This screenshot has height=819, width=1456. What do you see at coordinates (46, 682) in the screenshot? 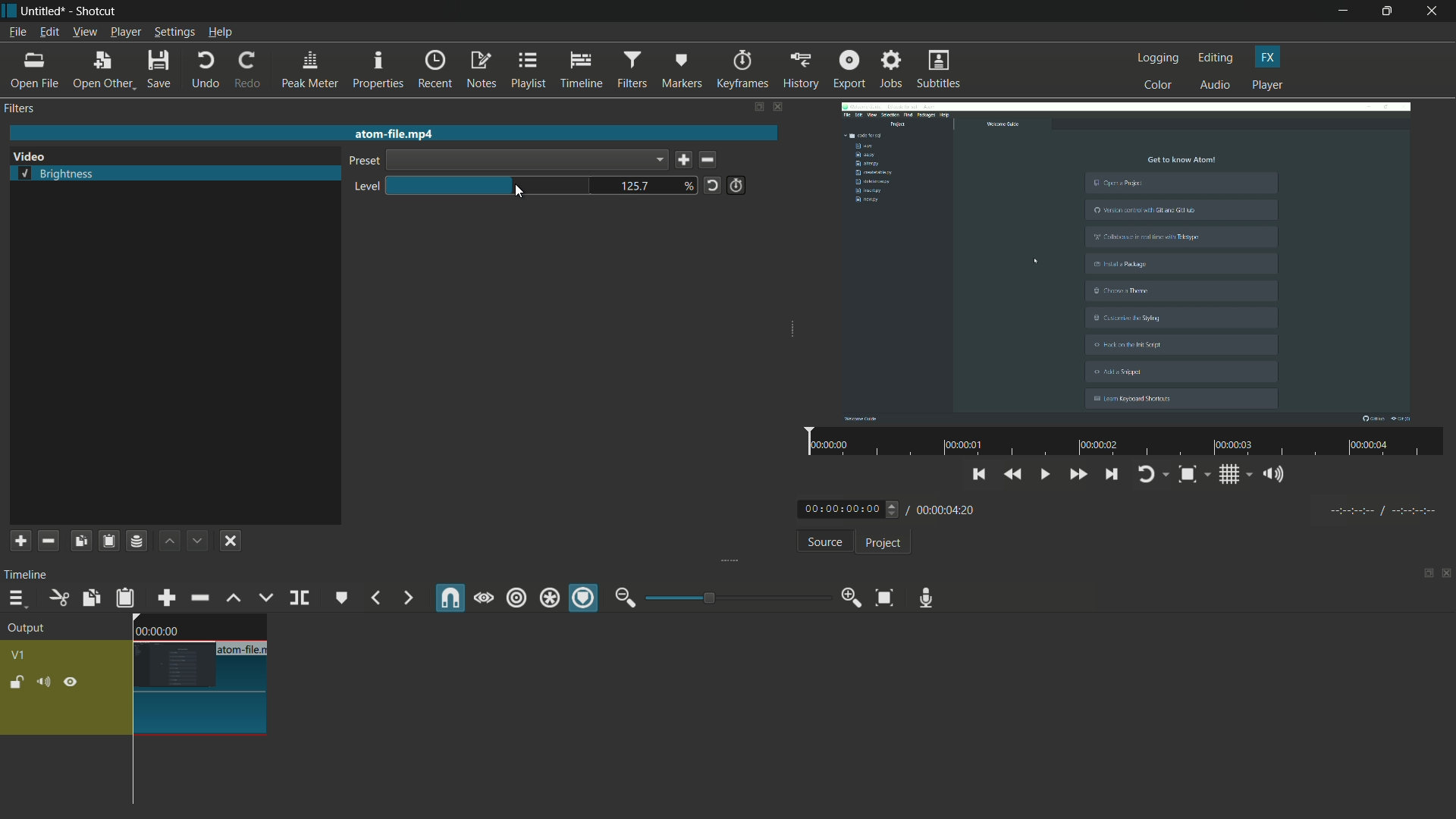
I see `mute` at bounding box center [46, 682].